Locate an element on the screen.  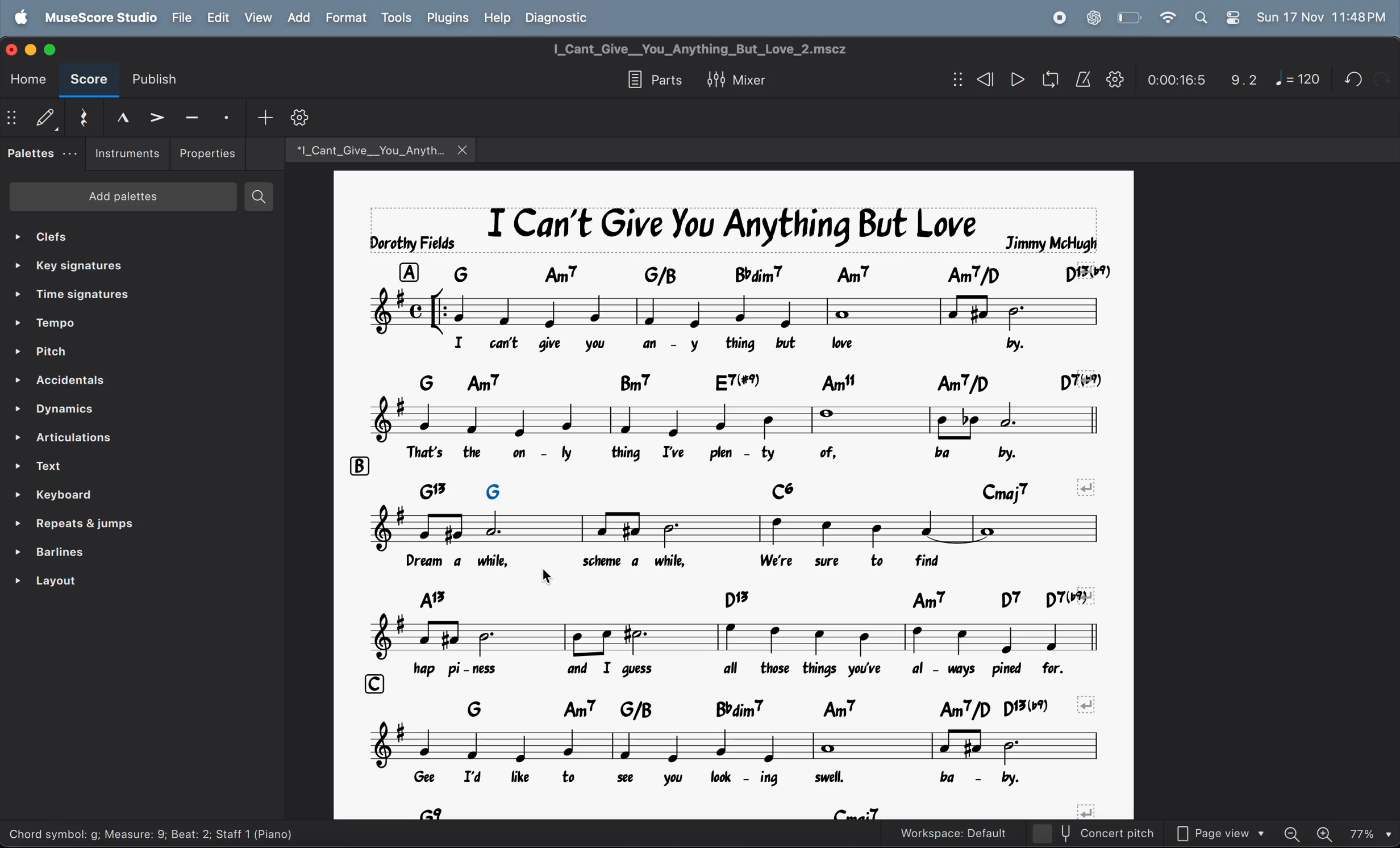
time signatures is located at coordinates (127, 297).